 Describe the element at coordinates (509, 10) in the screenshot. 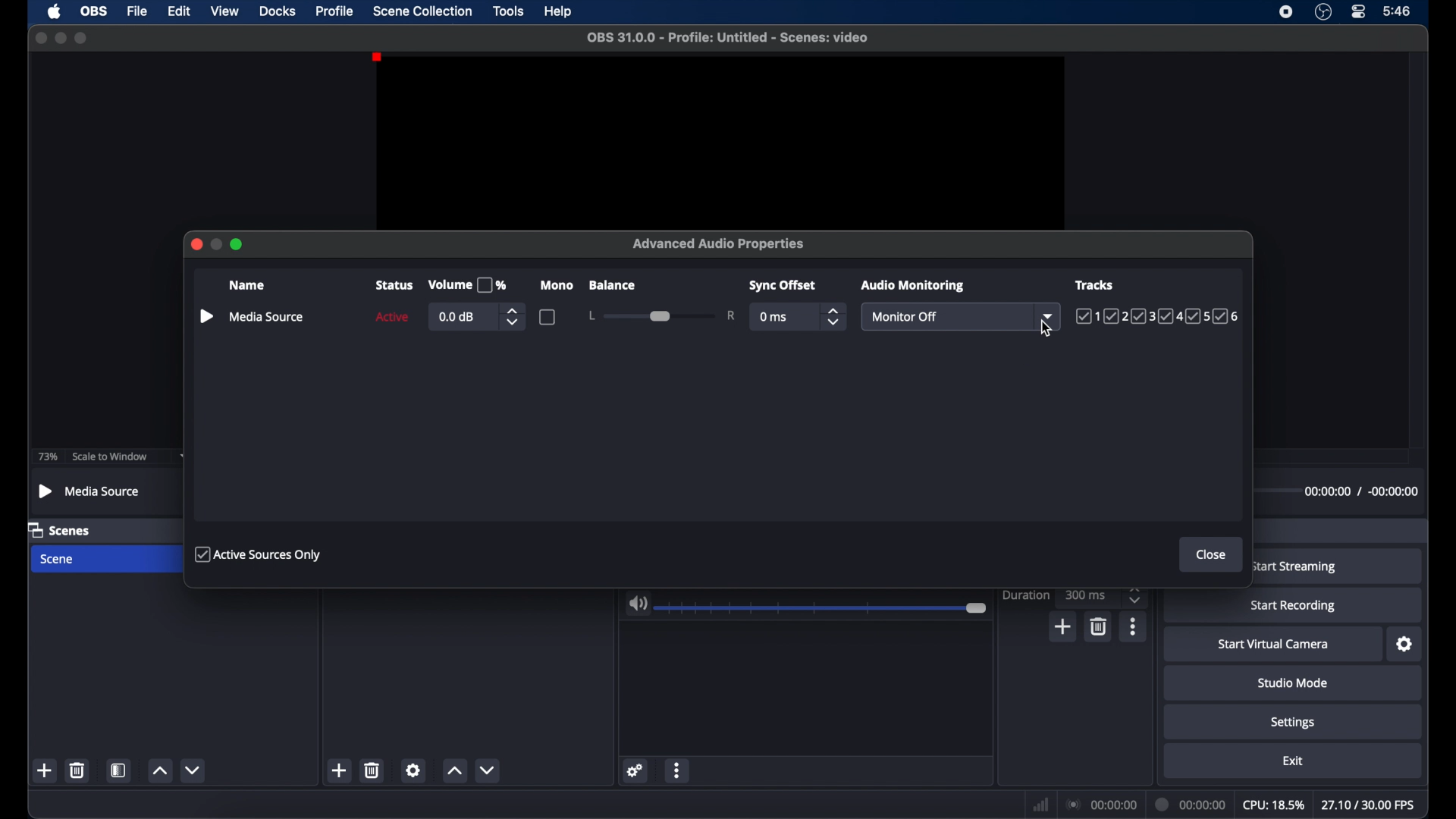

I see `tools` at that location.